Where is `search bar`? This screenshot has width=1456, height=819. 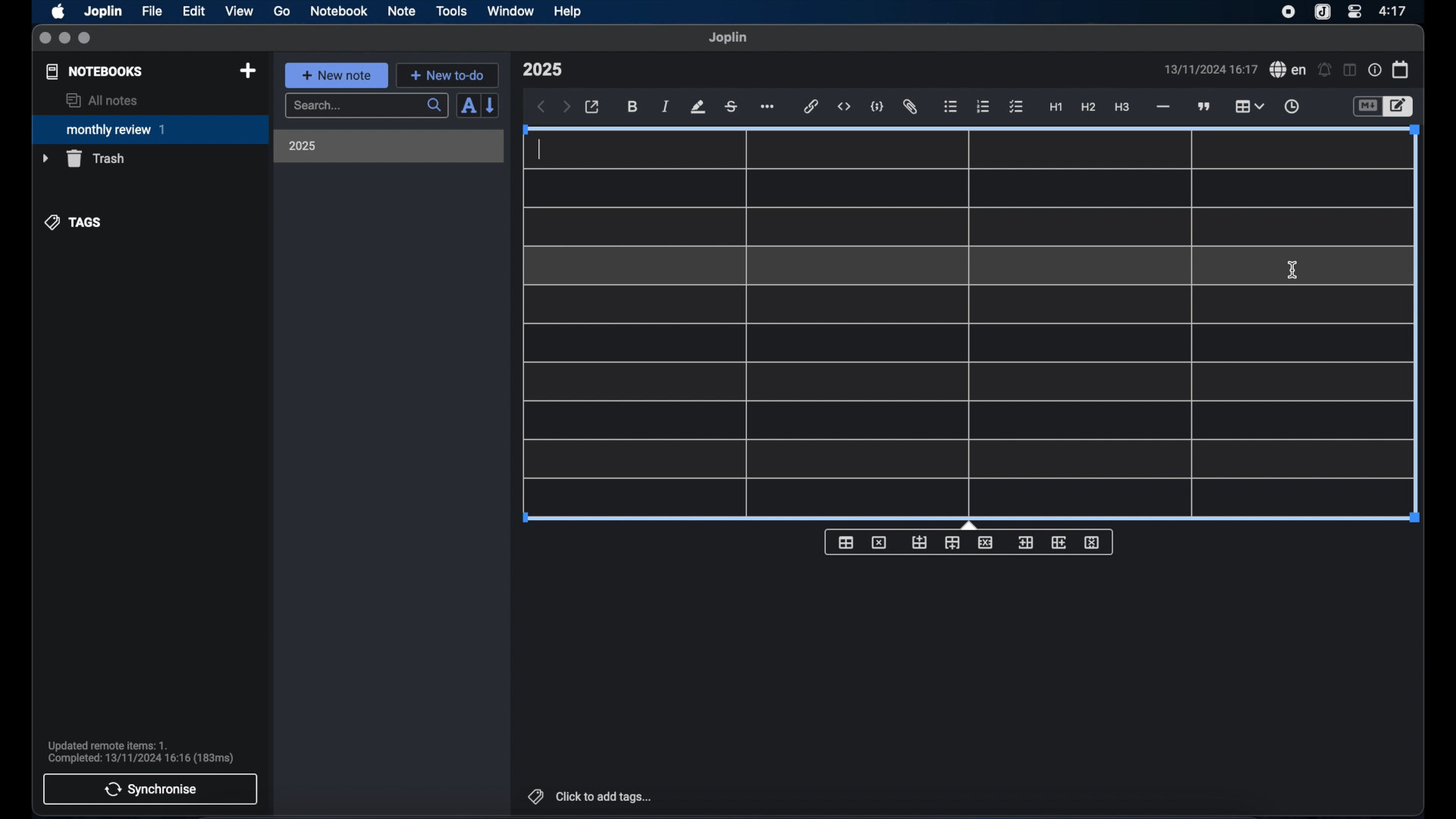 search bar is located at coordinates (366, 107).